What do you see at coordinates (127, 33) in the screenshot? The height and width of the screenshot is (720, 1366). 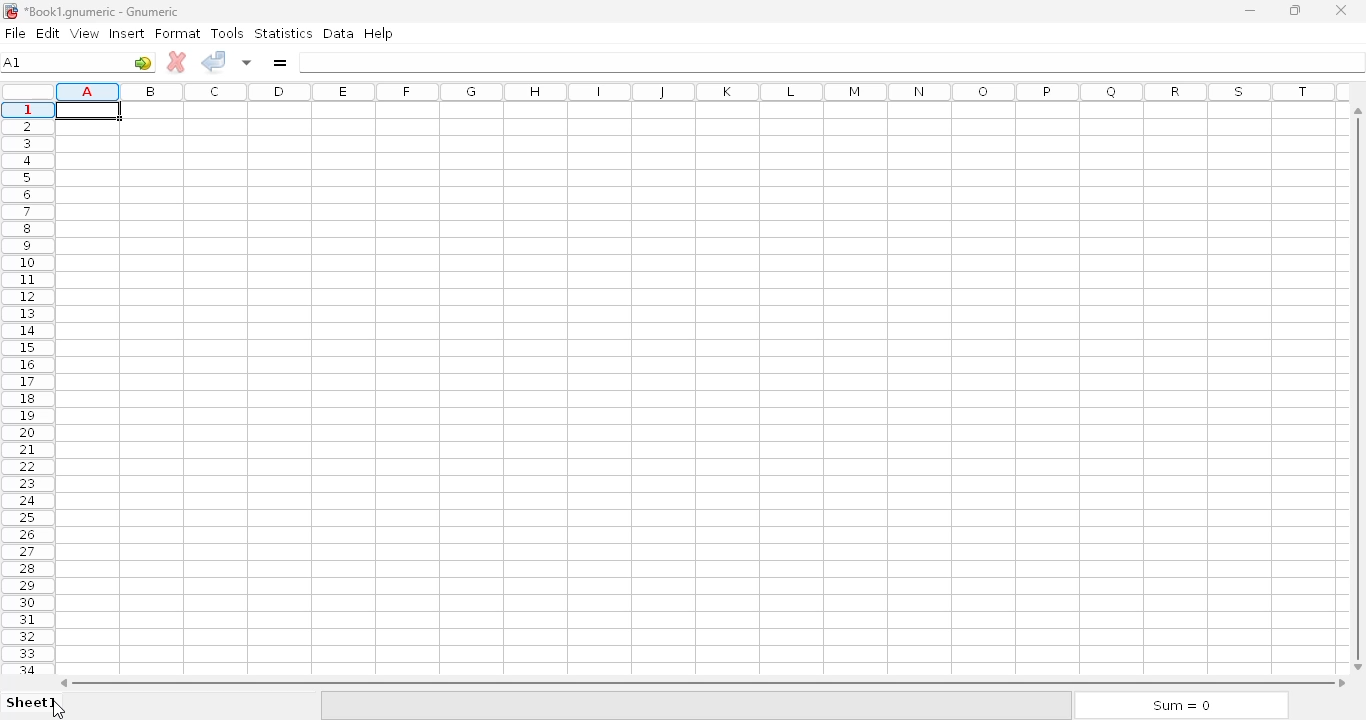 I see `insert` at bounding box center [127, 33].